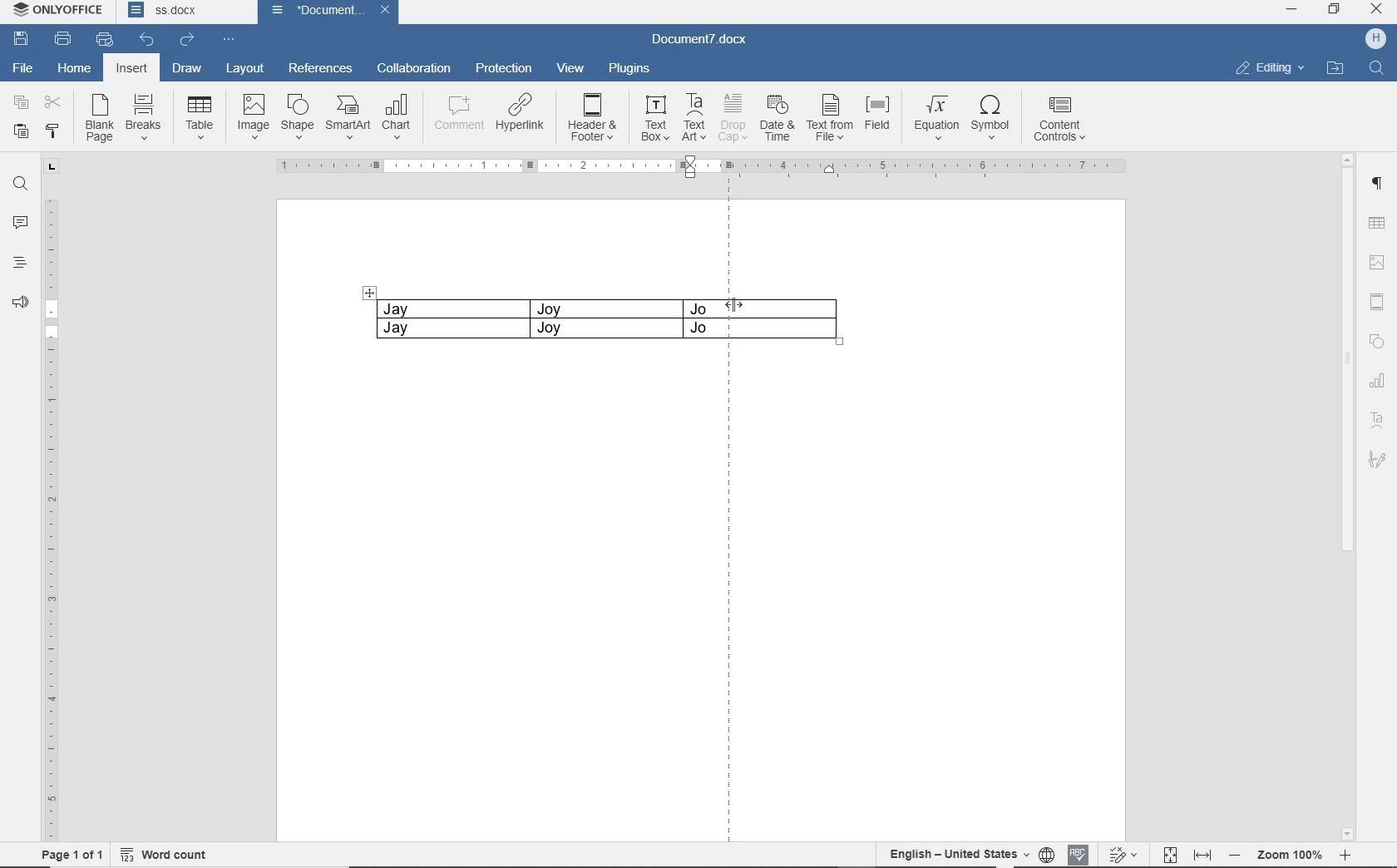 The image size is (1397, 868). I want to click on CHART, so click(397, 118).